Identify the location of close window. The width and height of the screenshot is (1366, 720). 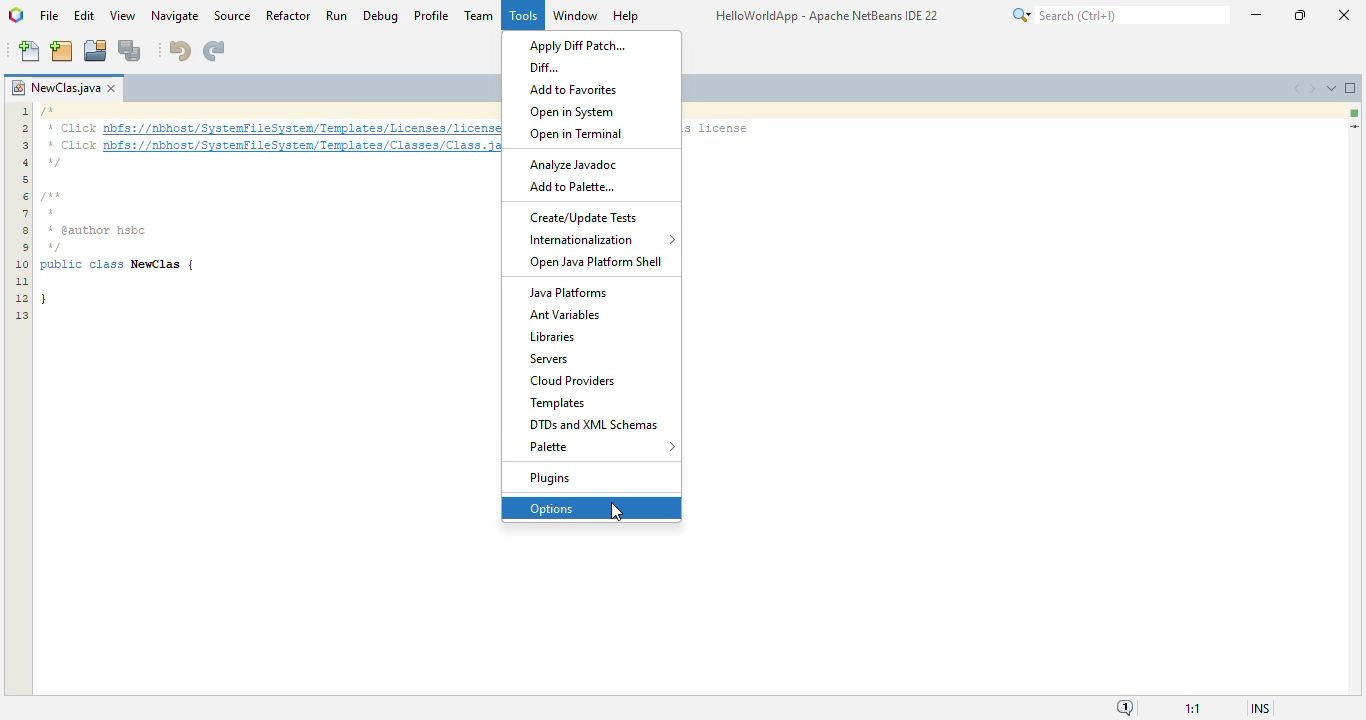
(111, 88).